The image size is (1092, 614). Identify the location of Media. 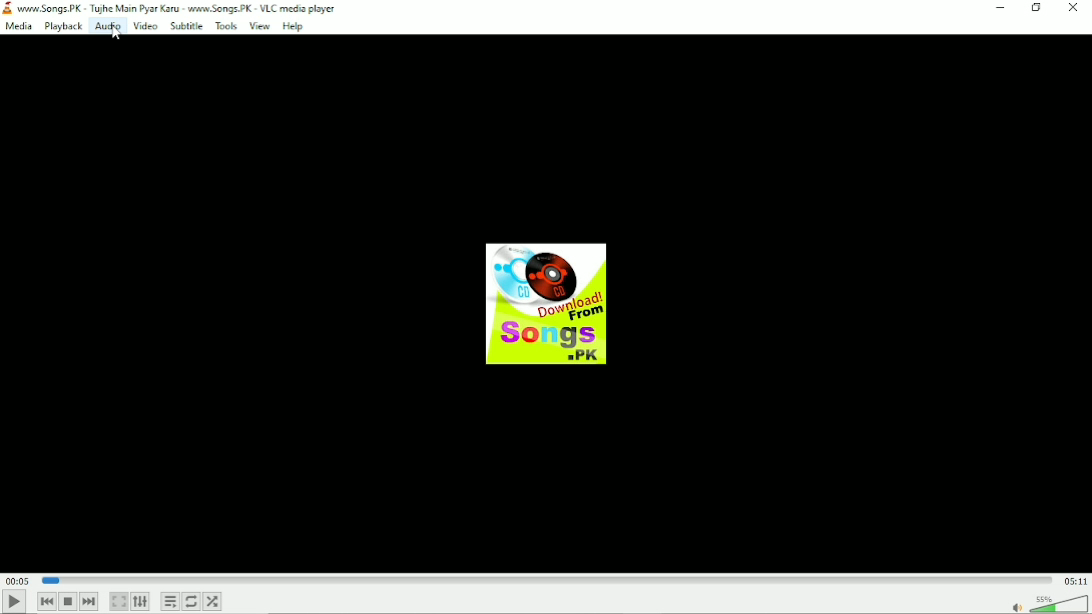
(19, 27).